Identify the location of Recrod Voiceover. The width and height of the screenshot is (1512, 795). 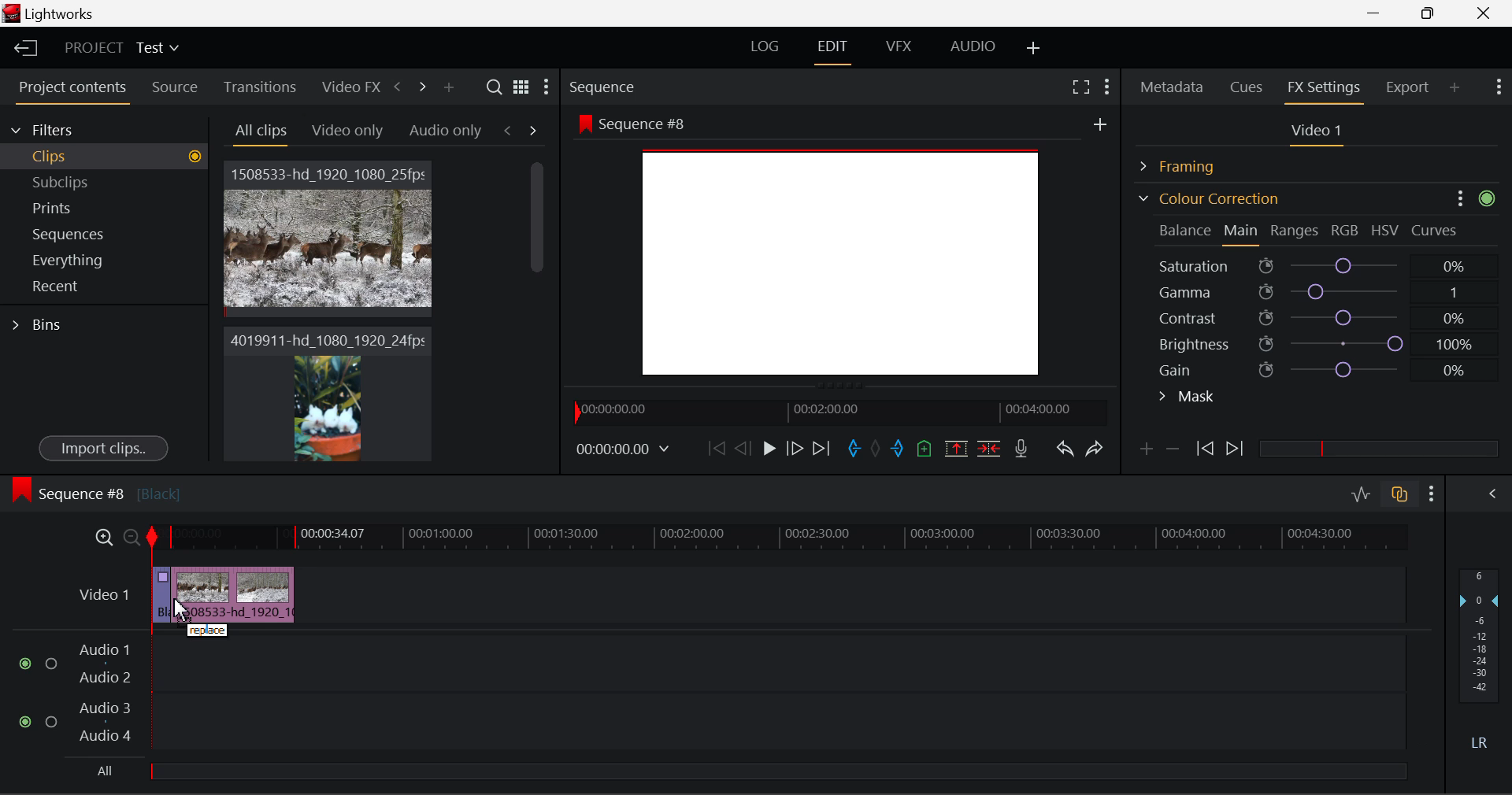
(1021, 448).